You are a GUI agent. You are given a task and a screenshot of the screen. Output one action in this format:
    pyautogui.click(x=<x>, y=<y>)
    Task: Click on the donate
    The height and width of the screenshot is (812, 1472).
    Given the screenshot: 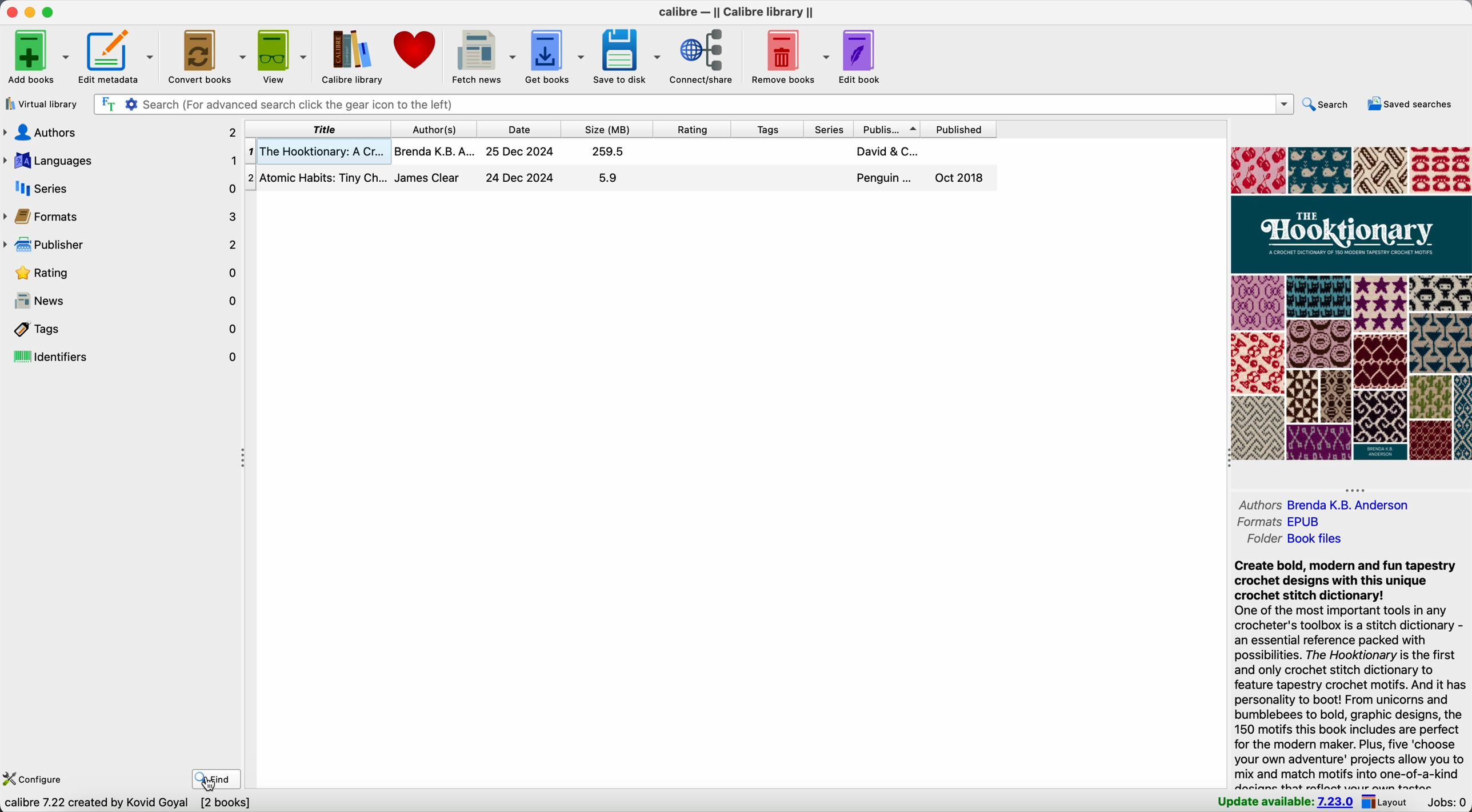 What is the action you would take?
    pyautogui.click(x=417, y=49)
    